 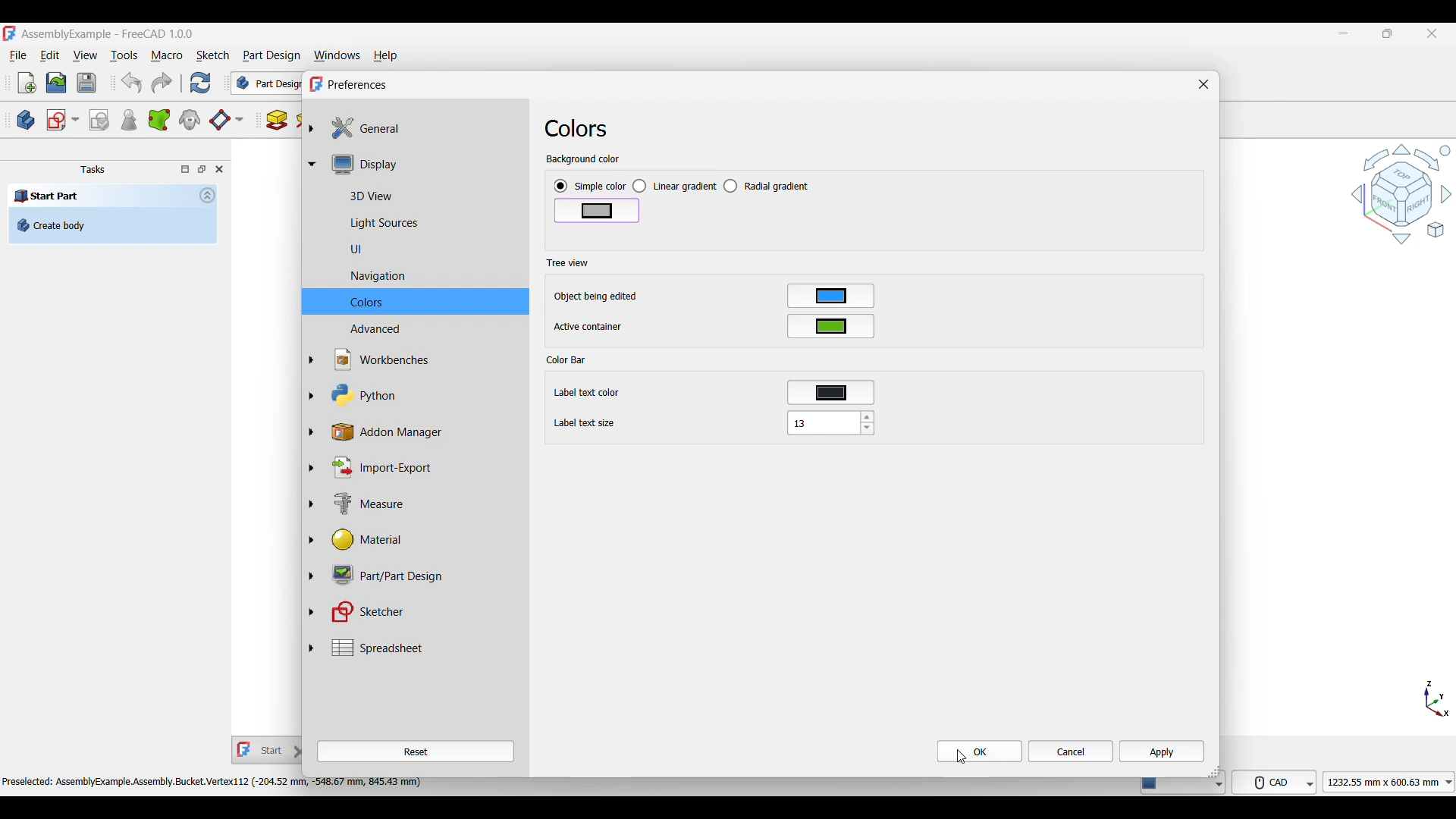 What do you see at coordinates (424, 249) in the screenshot?
I see `UI` at bounding box center [424, 249].